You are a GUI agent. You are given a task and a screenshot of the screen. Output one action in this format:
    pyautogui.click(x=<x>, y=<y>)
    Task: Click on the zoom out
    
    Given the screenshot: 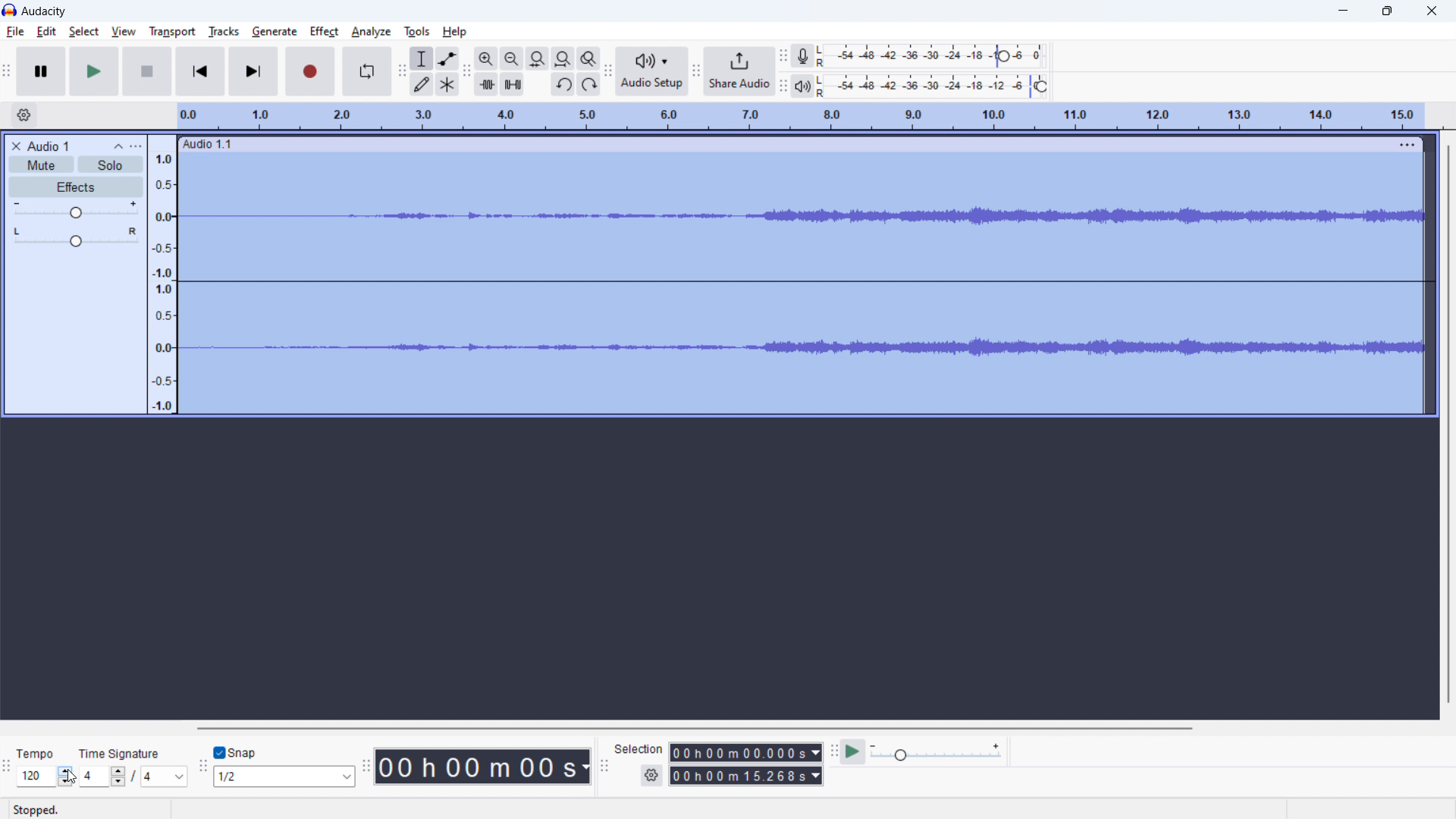 What is the action you would take?
    pyautogui.click(x=512, y=59)
    